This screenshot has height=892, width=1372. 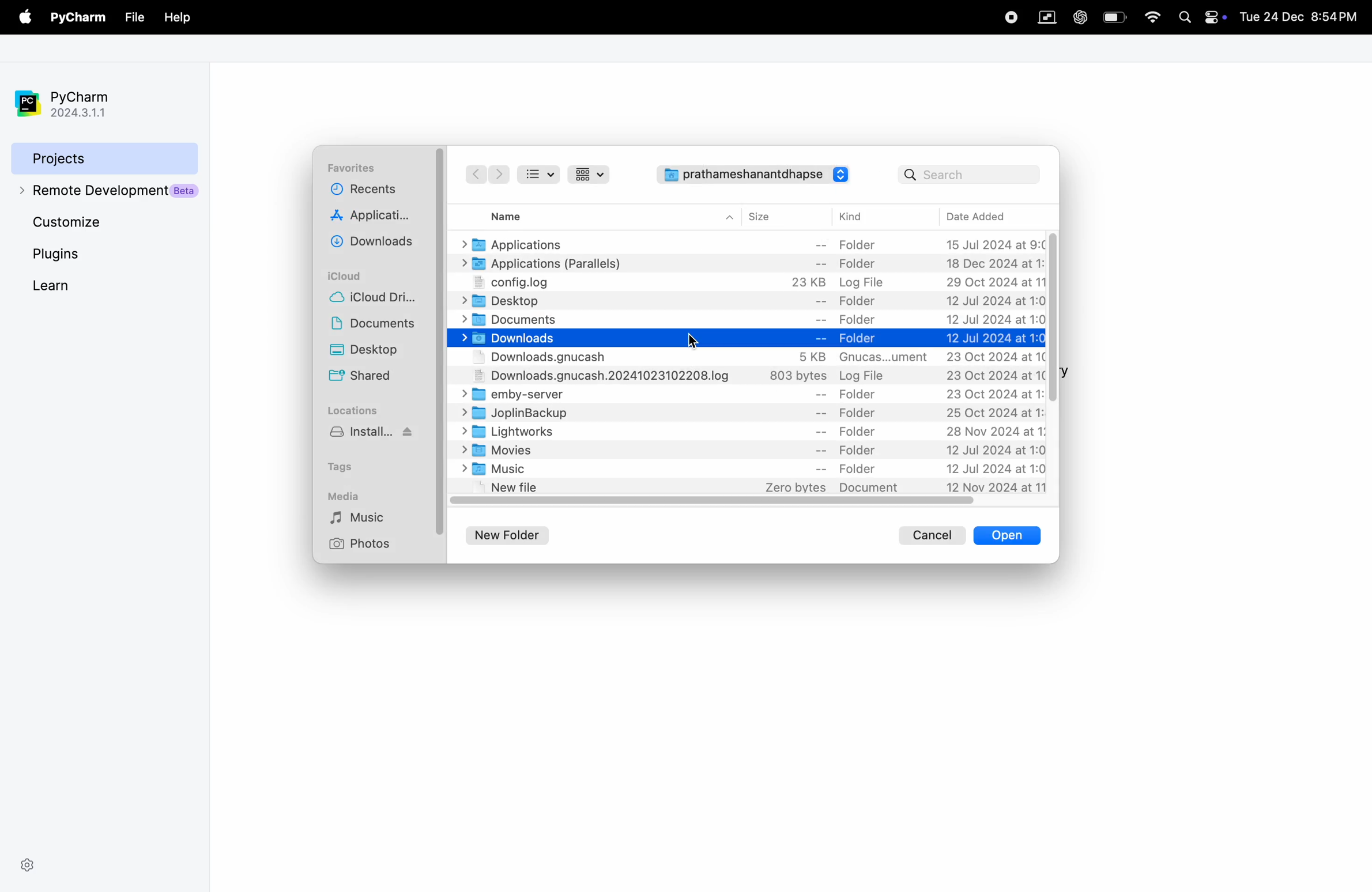 I want to click on parallel space, so click(x=1044, y=16).